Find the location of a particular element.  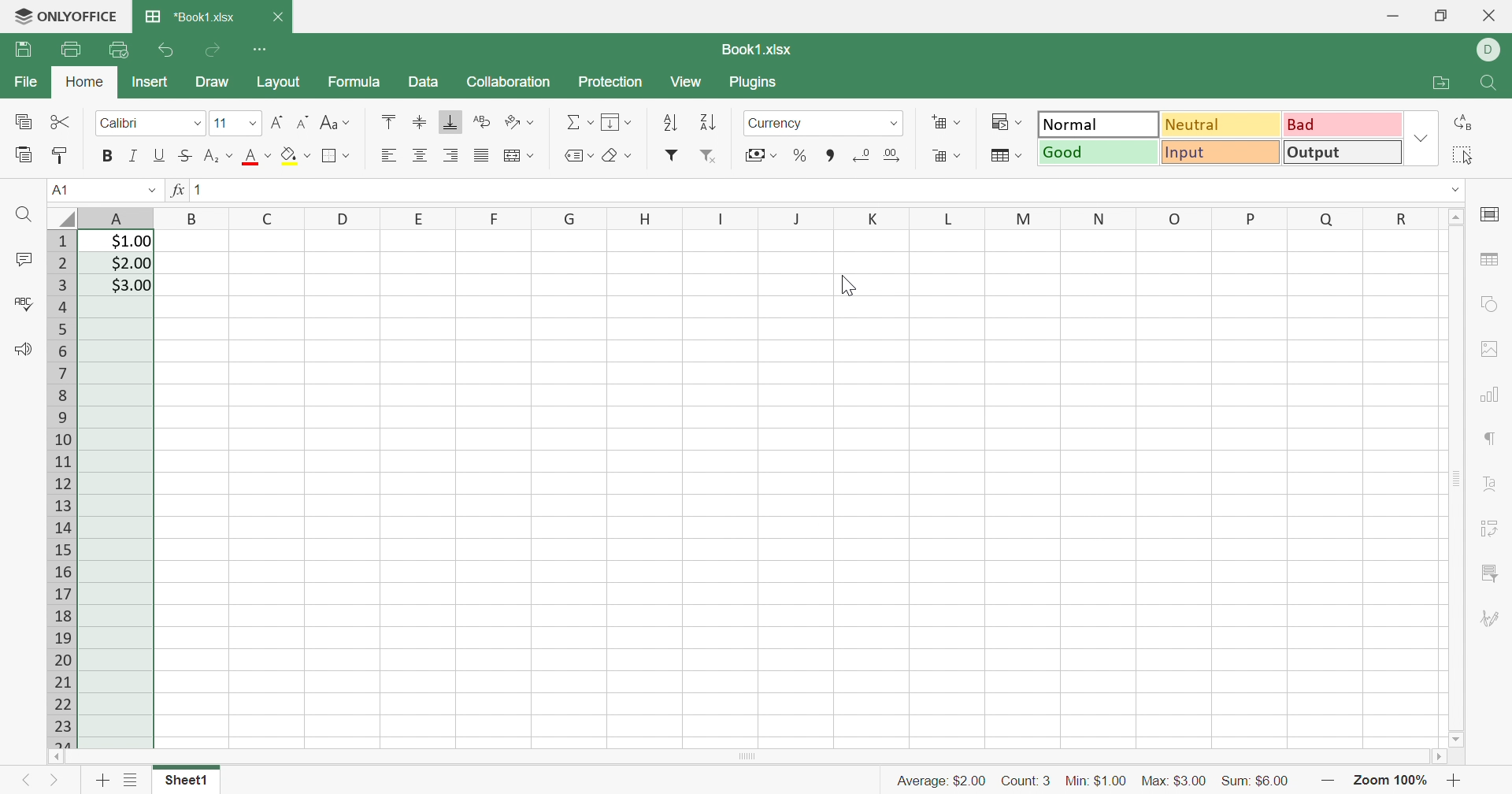

$1.00 is located at coordinates (132, 241).